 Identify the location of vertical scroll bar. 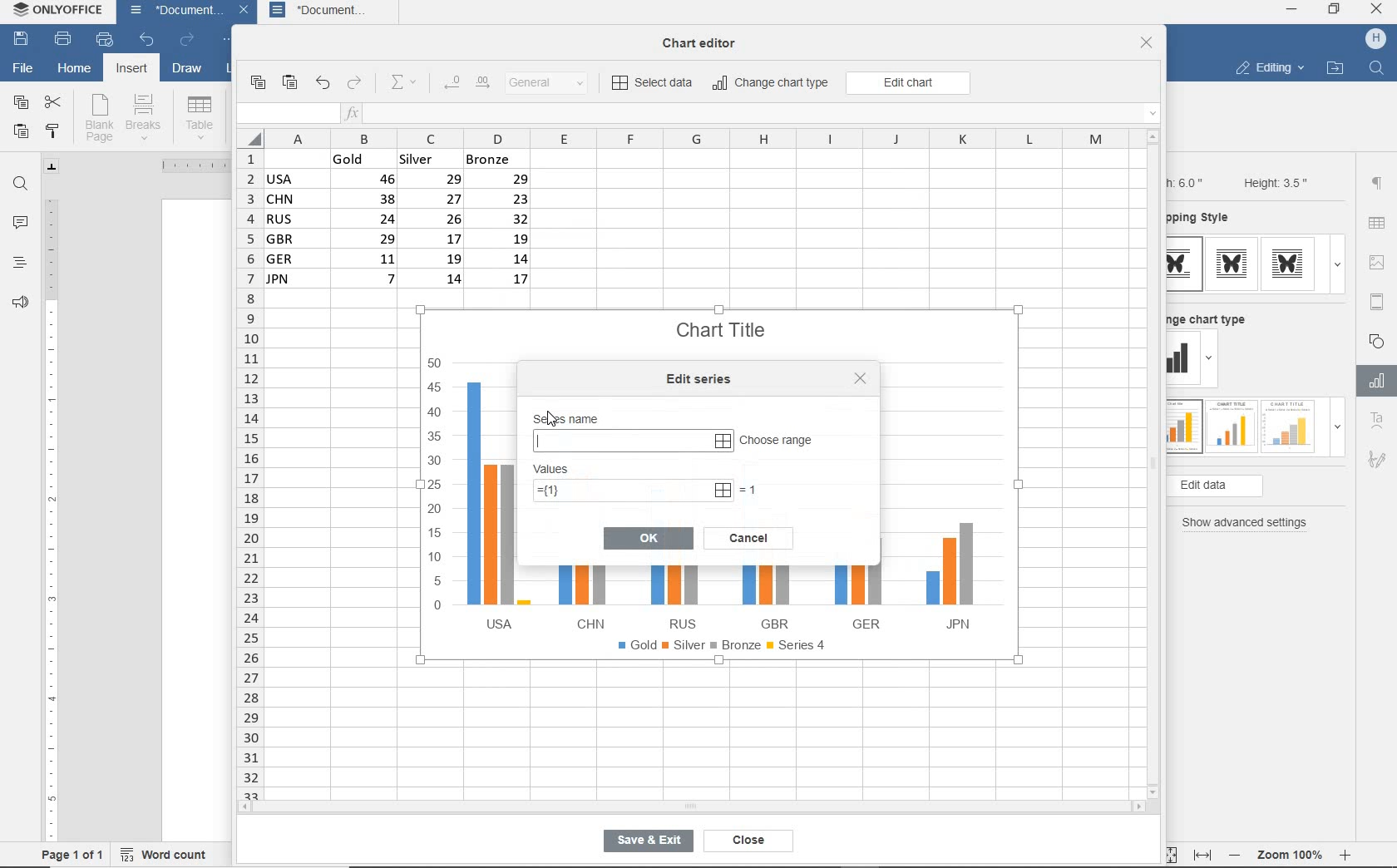
(1158, 463).